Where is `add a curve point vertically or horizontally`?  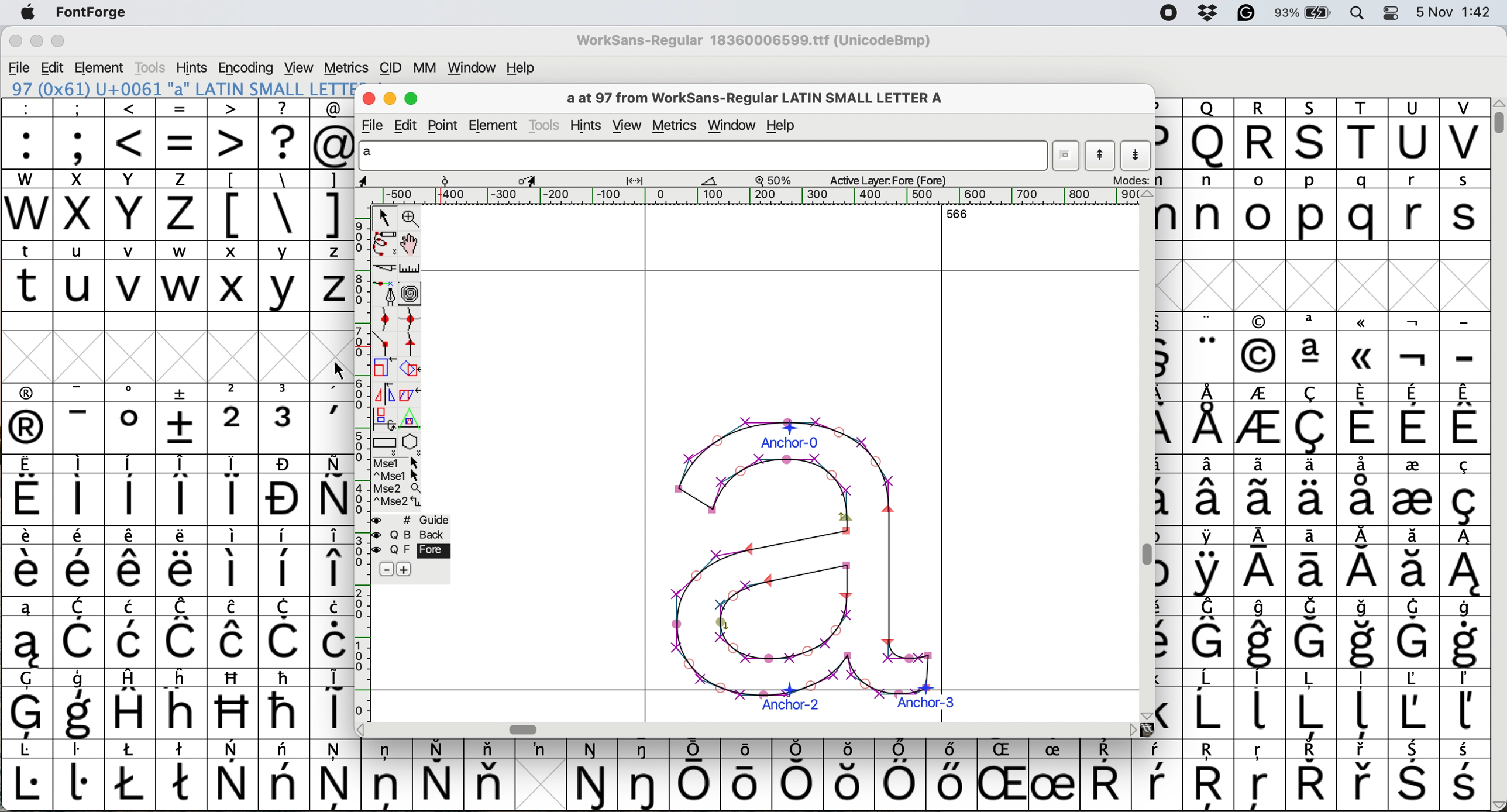 add a curve point vertically or horizontally is located at coordinates (408, 318).